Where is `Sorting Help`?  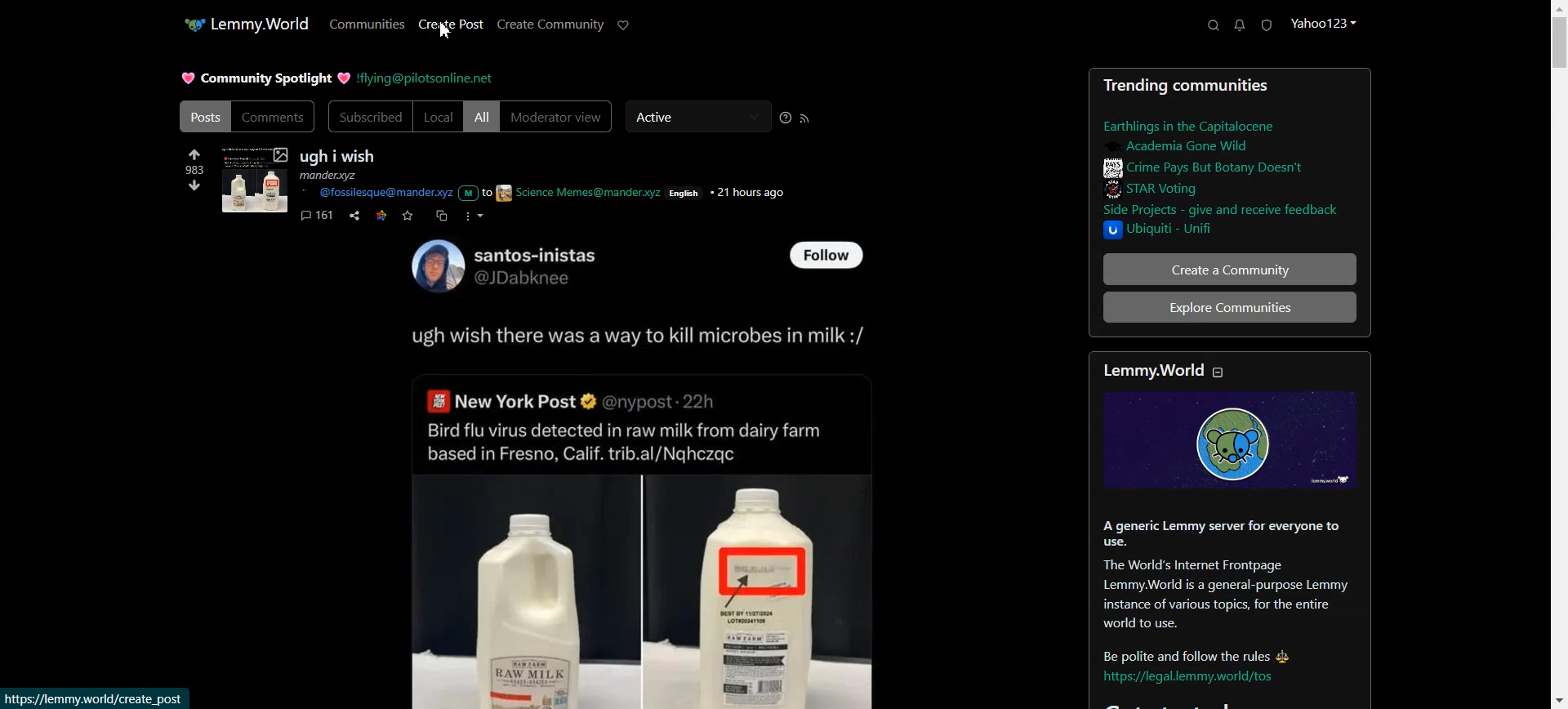 Sorting Help is located at coordinates (782, 118).